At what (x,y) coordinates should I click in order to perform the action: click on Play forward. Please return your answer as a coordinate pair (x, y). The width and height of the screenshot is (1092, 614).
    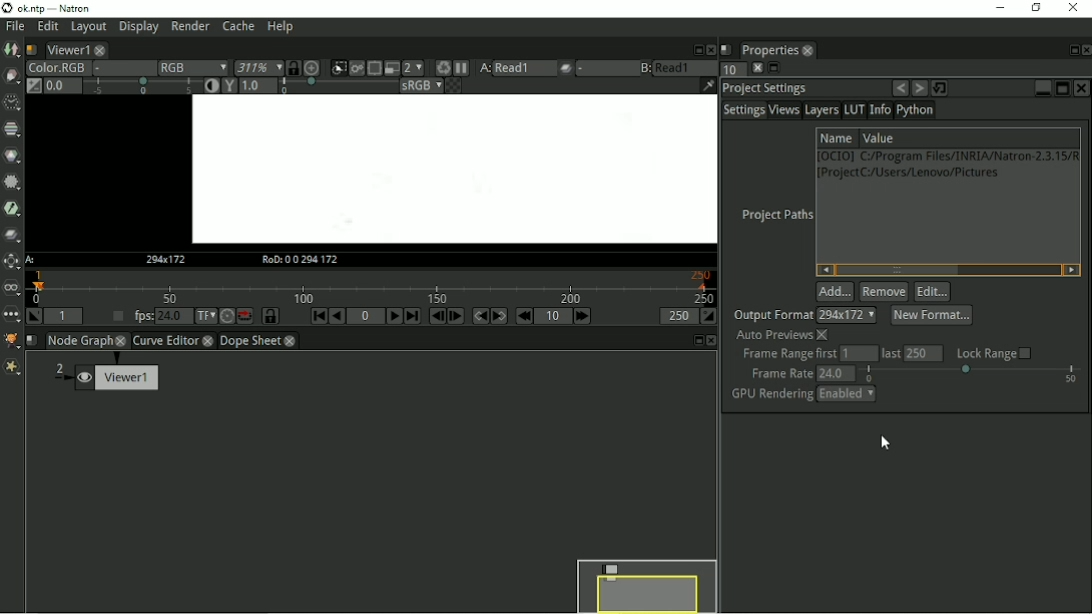
    Looking at the image, I should click on (396, 315).